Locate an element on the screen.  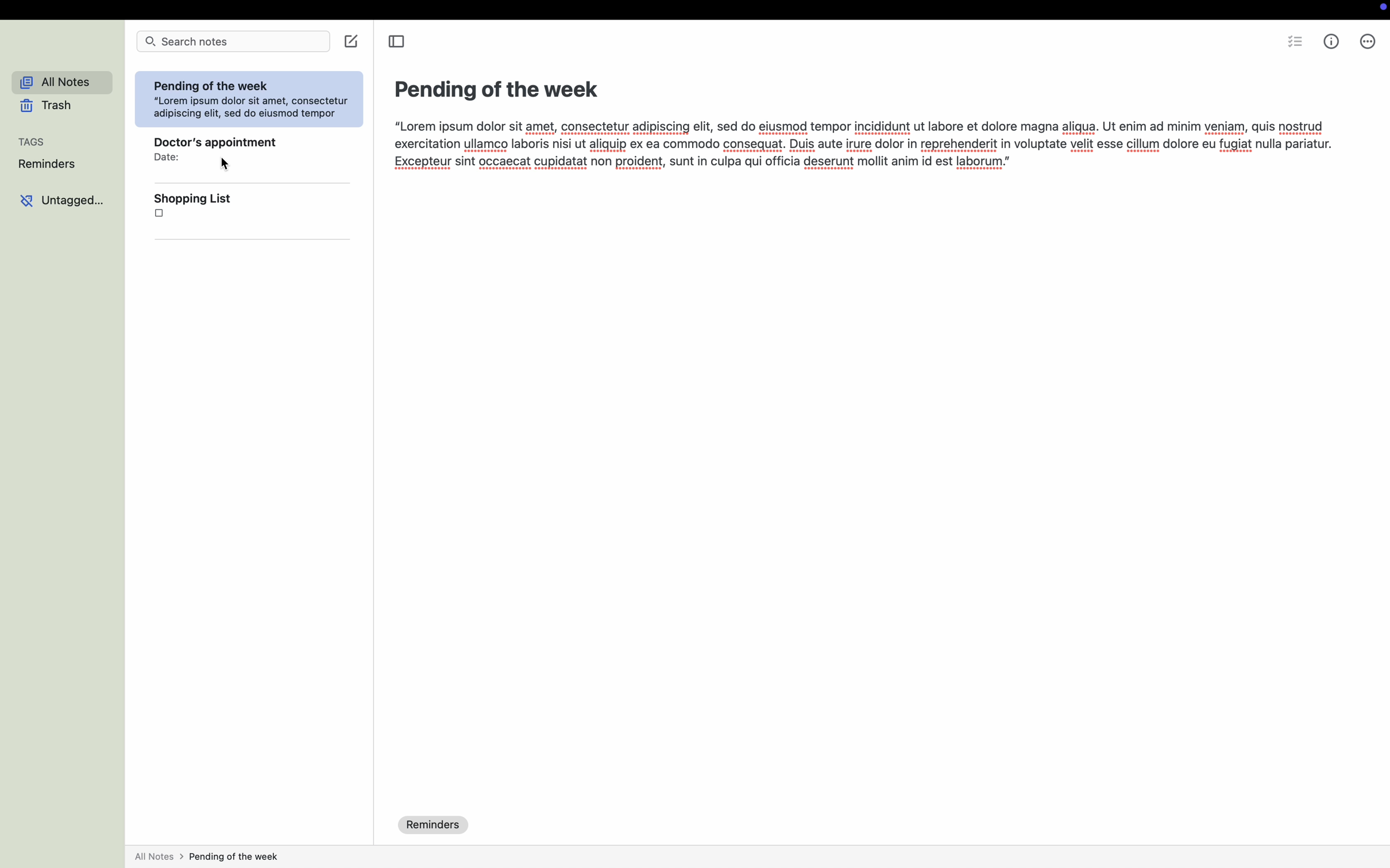
record the screen is located at coordinates (1379, 9).